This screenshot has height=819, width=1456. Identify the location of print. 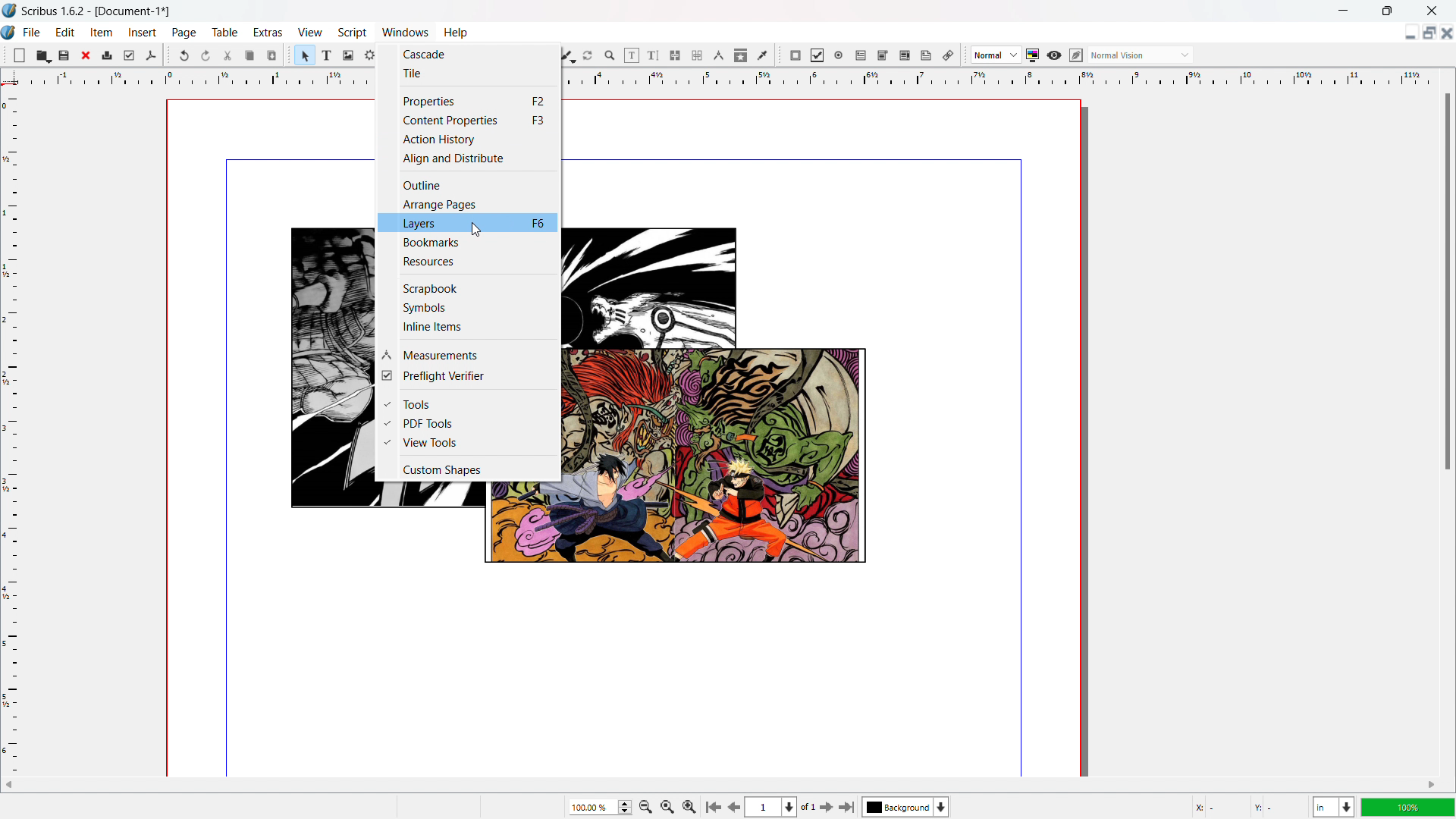
(107, 55).